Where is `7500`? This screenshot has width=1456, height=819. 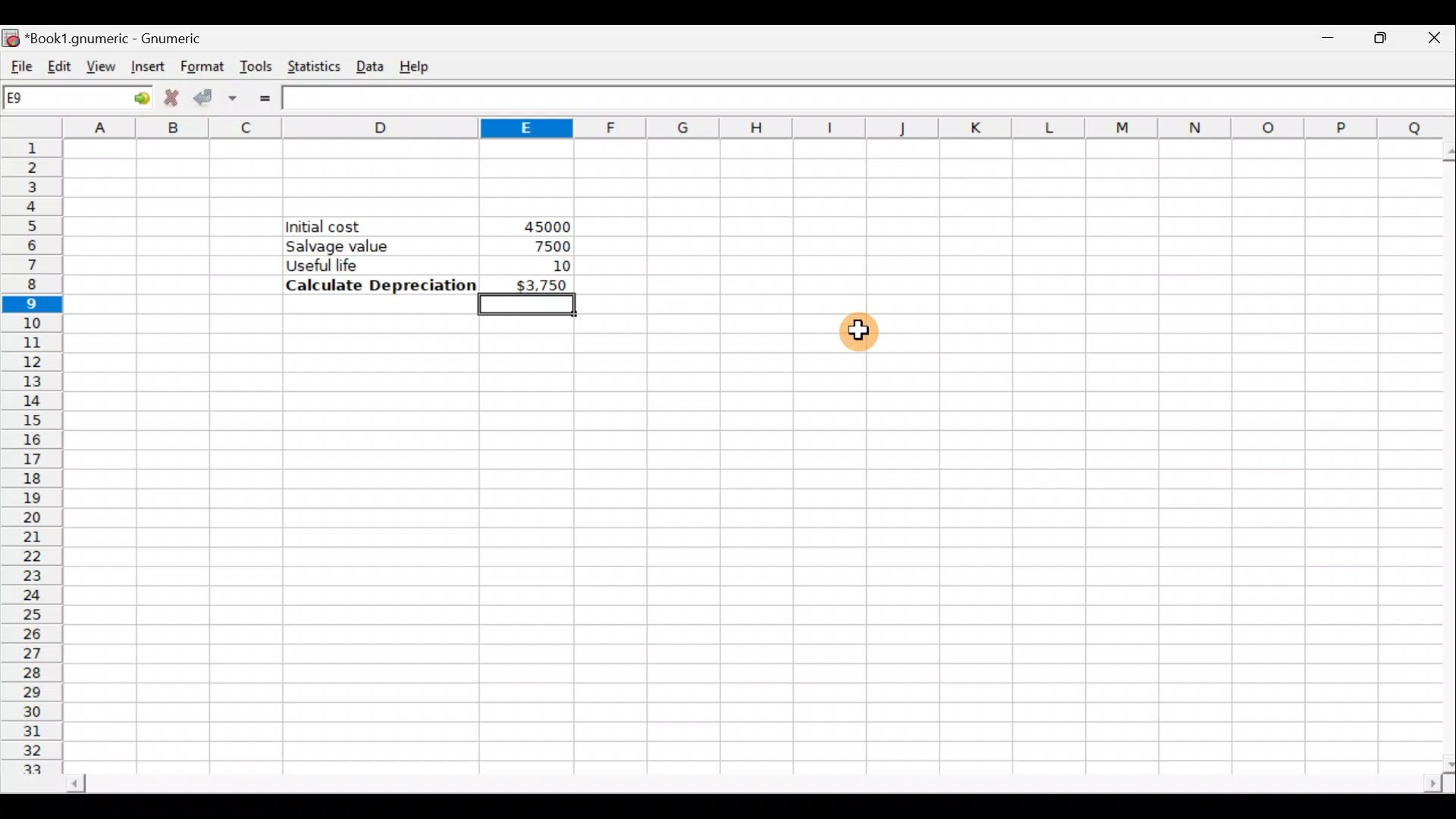
7500 is located at coordinates (545, 246).